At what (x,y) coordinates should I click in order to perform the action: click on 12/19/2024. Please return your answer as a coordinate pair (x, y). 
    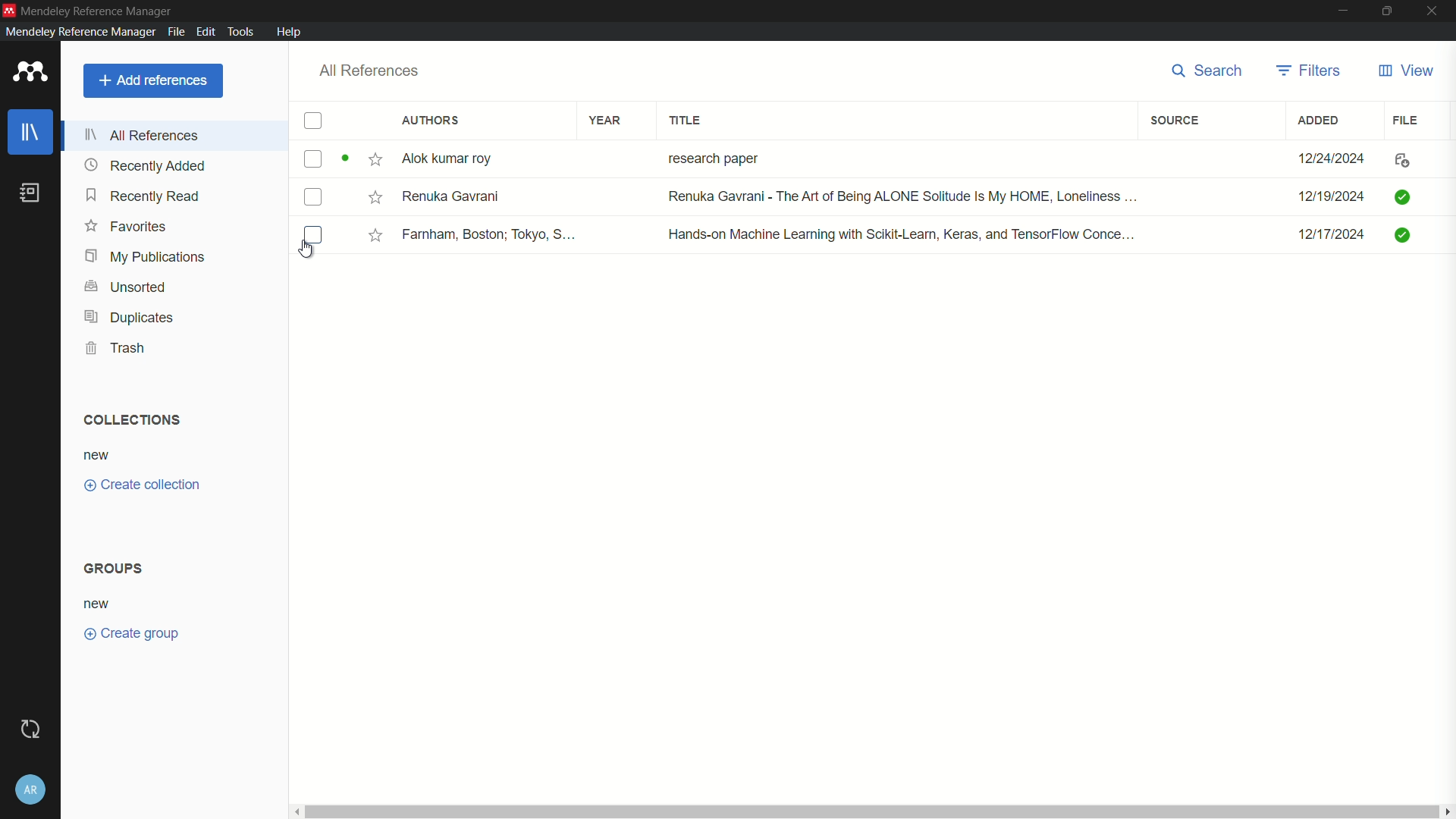
    Looking at the image, I should click on (1329, 195).